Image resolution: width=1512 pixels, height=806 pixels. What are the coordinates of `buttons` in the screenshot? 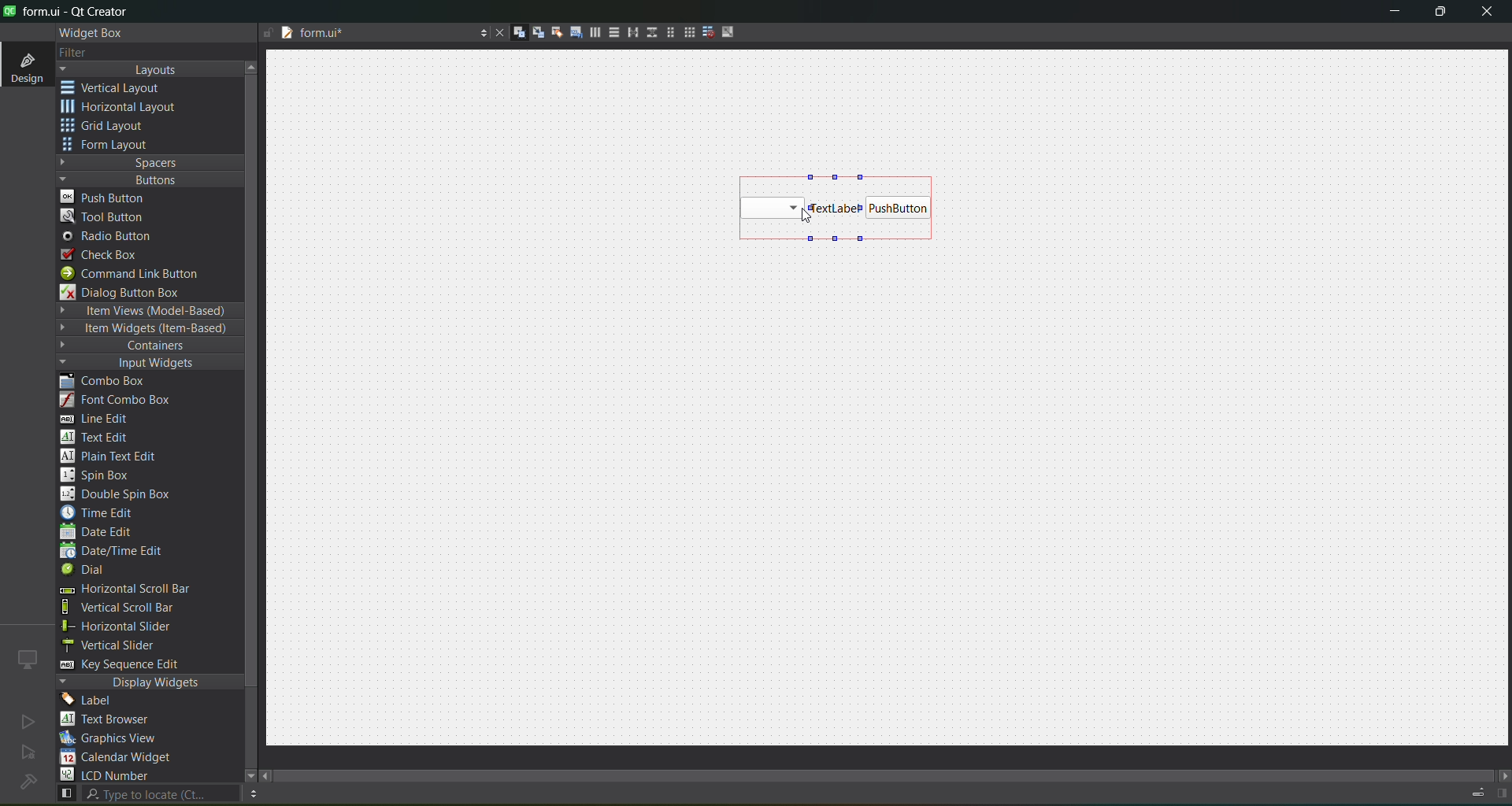 It's located at (146, 179).